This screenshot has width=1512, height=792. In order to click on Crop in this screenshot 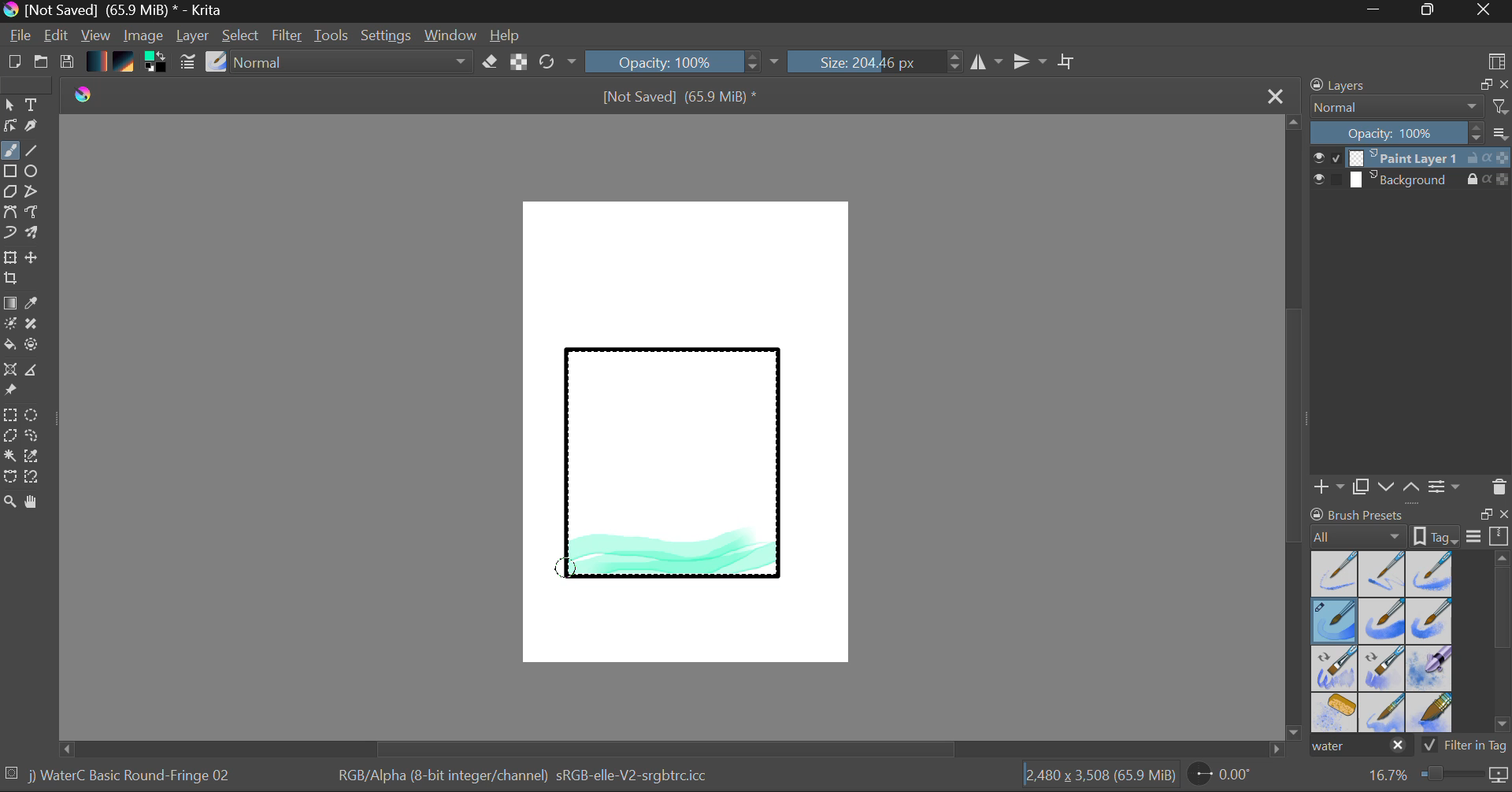, I will do `click(1069, 61)`.